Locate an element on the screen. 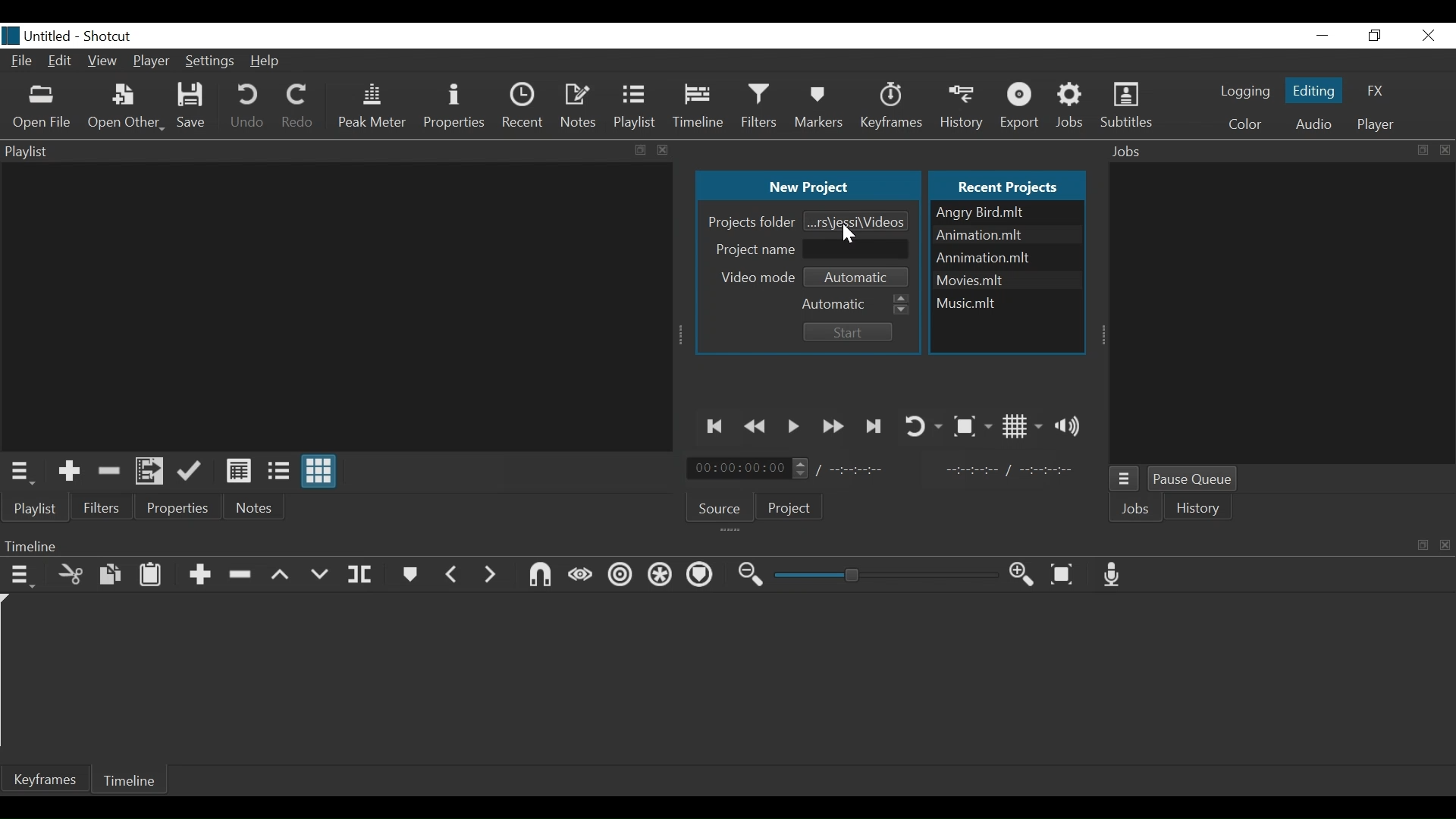 This screenshot has height=819, width=1456. Zoom Timeline to fit is located at coordinates (1065, 575).